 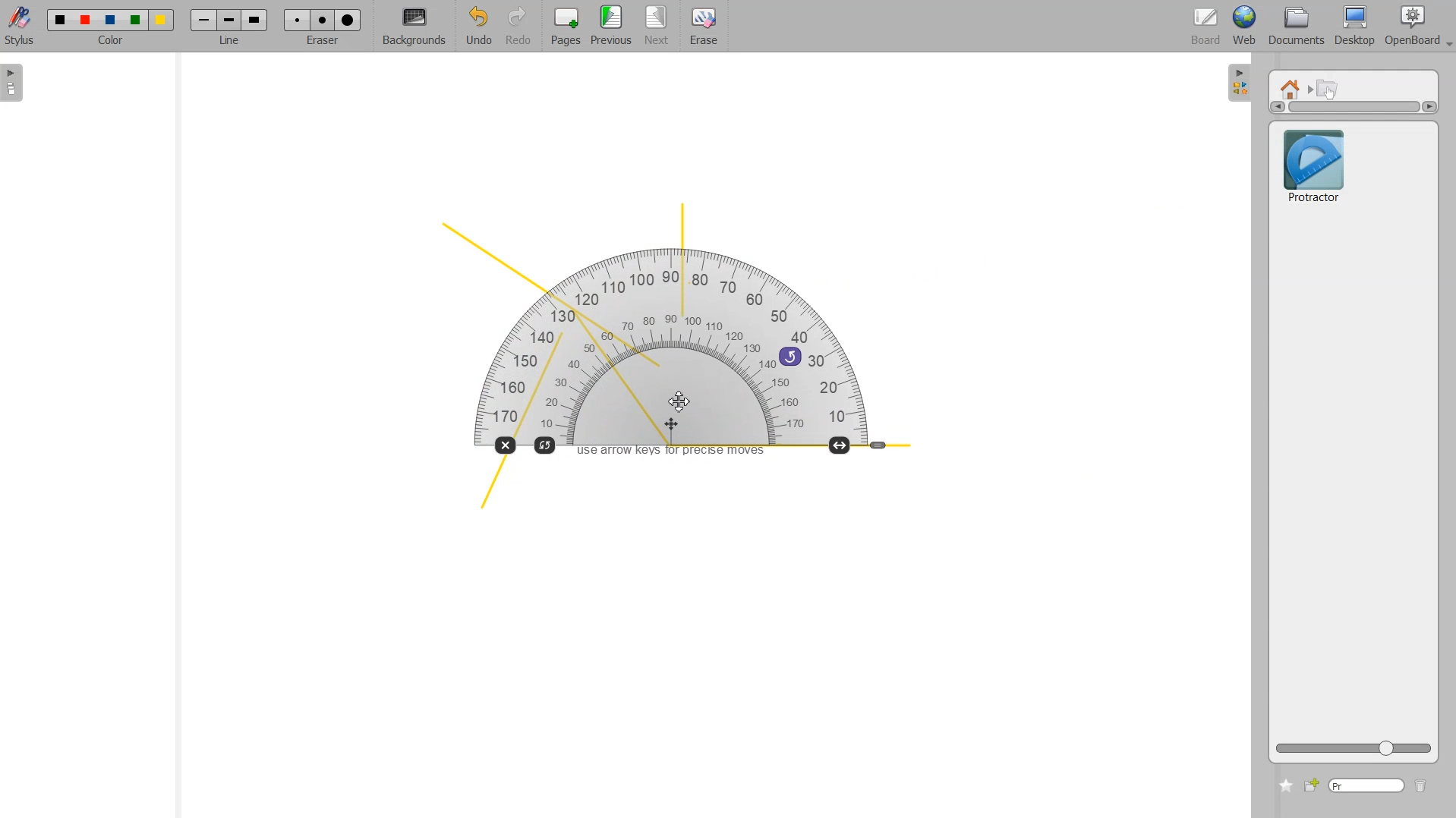 What do you see at coordinates (414, 27) in the screenshot?
I see `Background` at bounding box center [414, 27].